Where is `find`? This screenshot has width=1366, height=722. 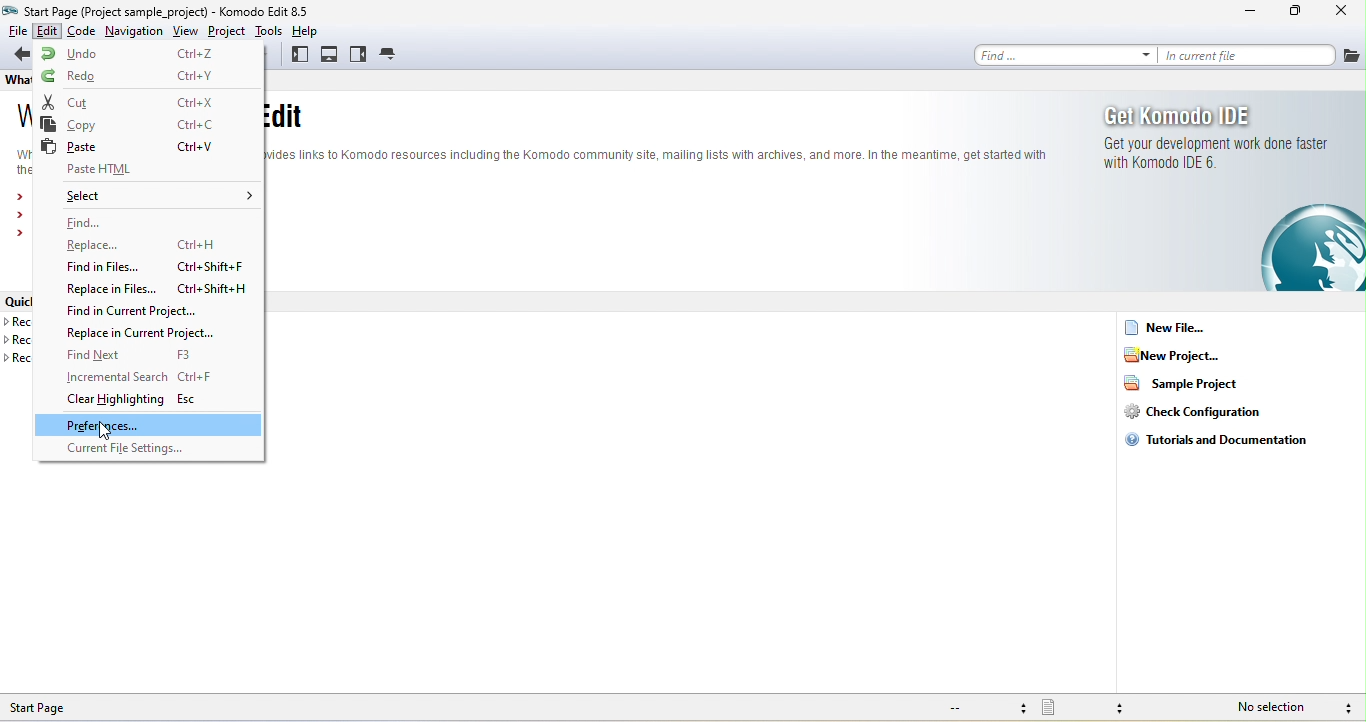 find is located at coordinates (120, 223).